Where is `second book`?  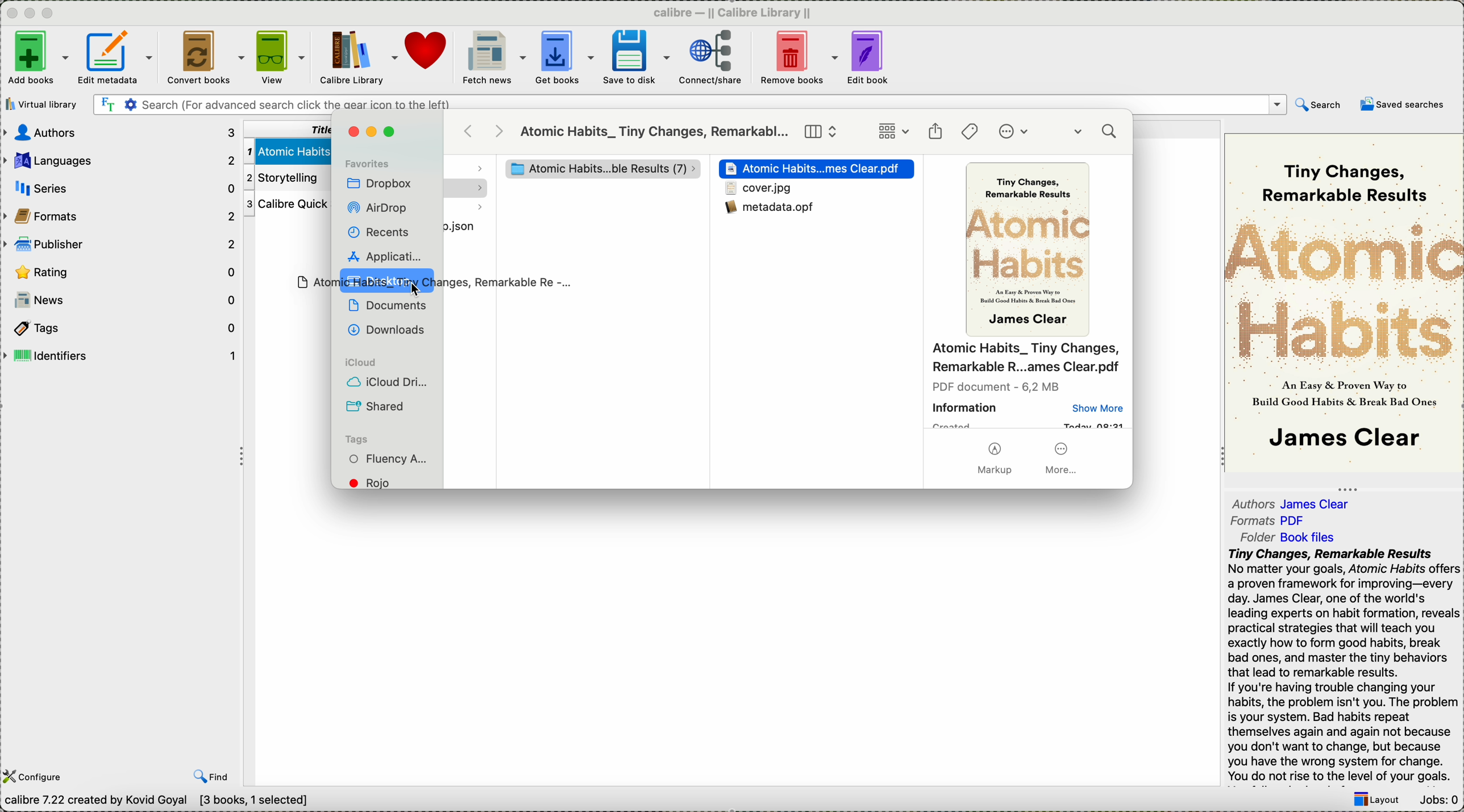
second book is located at coordinates (284, 178).